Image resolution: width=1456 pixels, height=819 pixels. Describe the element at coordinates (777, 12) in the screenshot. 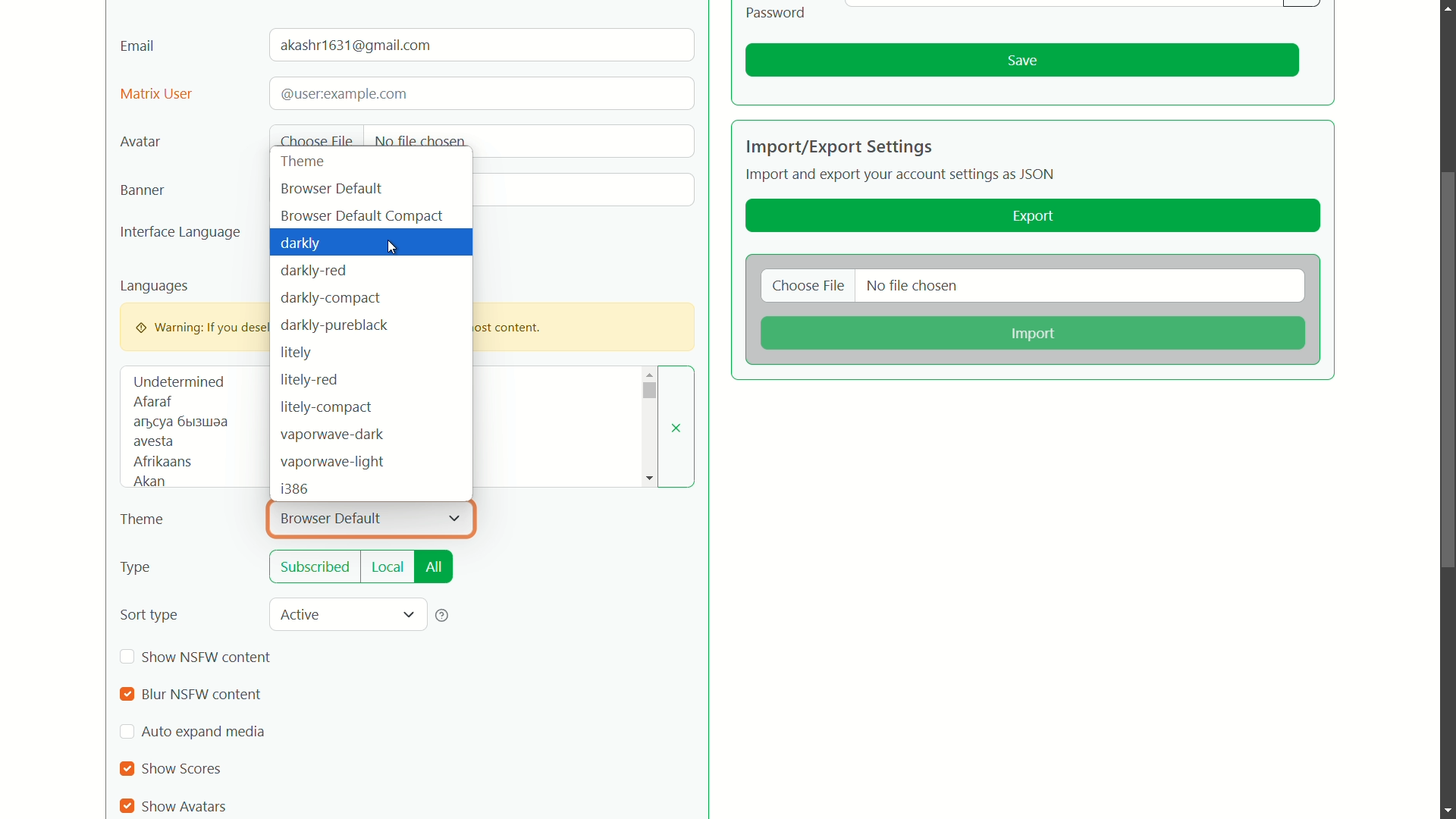

I see `Password` at that location.